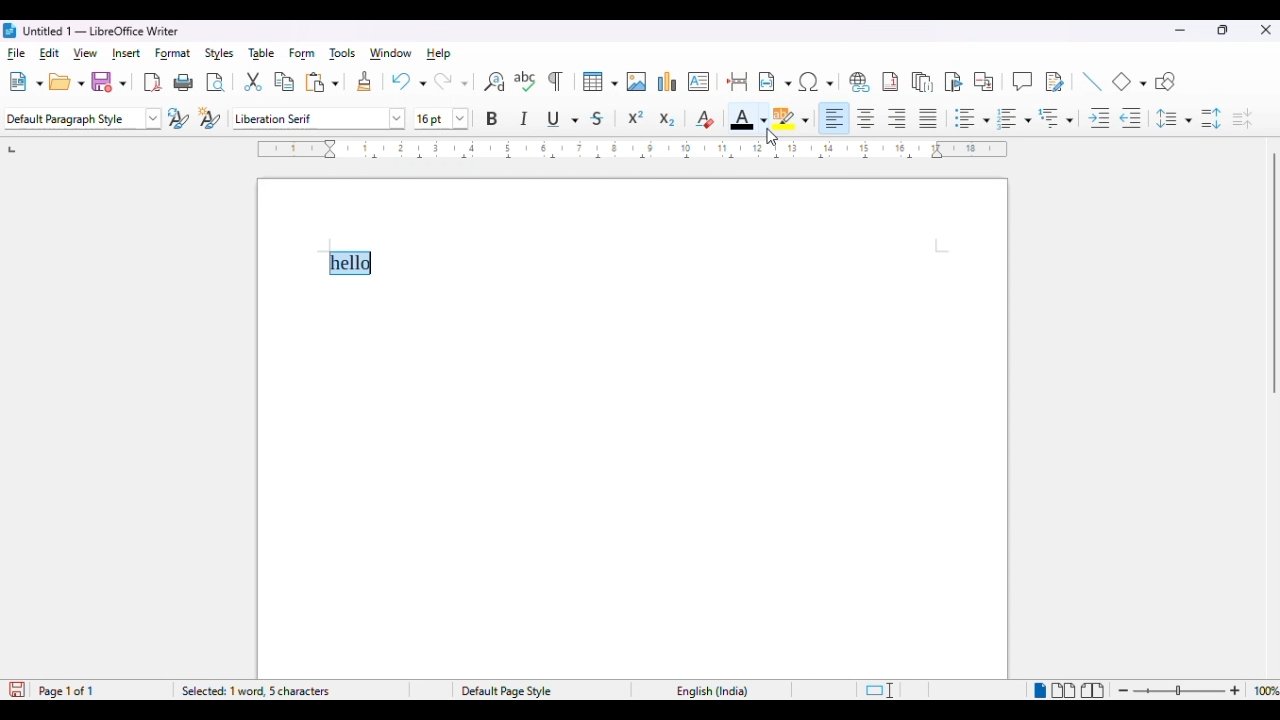  I want to click on page 1 of 1, so click(66, 691).